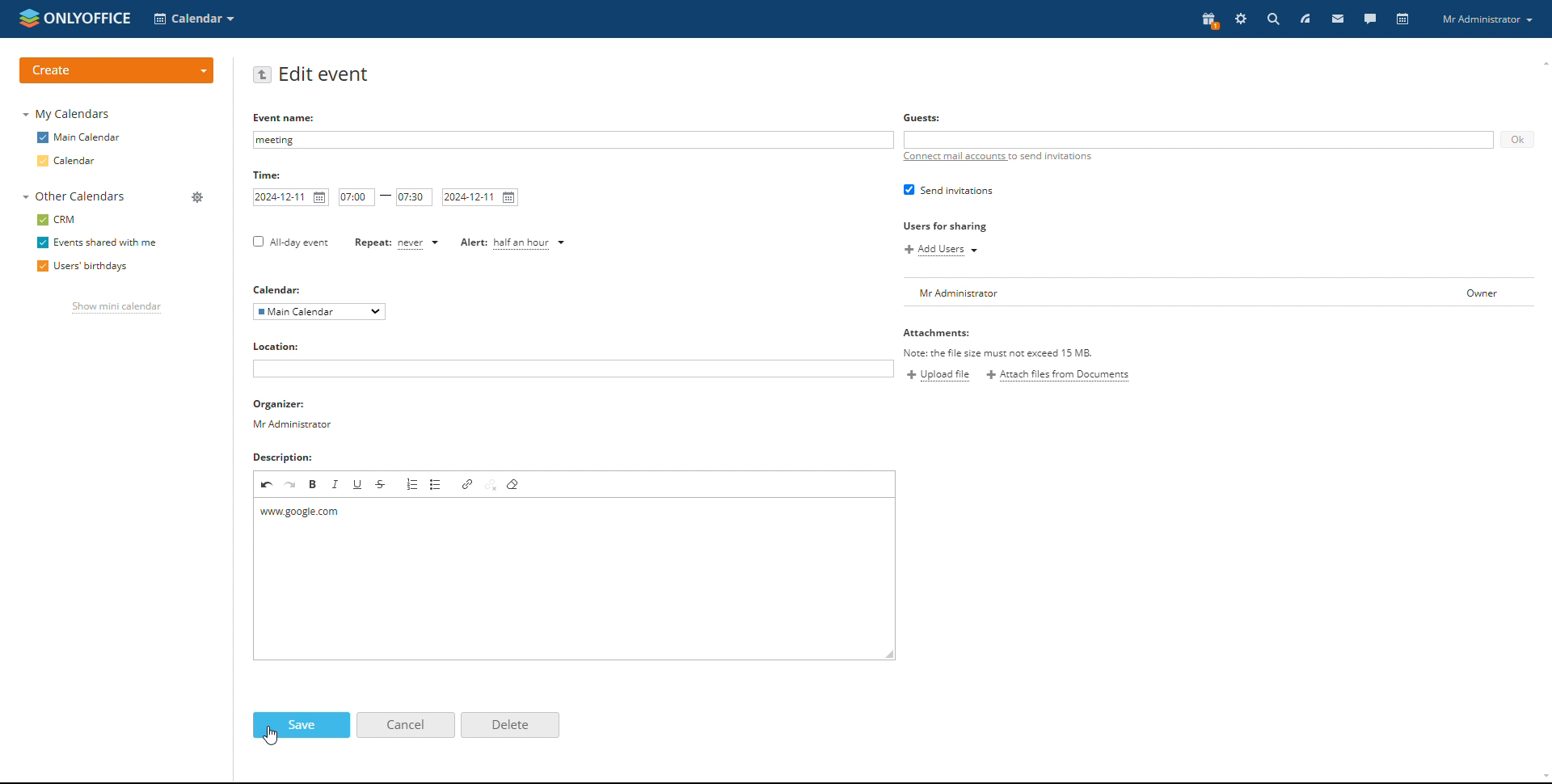 This screenshot has width=1552, height=784. What do you see at coordinates (468, 483) in the screenshot?
I see `link` at bounding box center [468, 483].